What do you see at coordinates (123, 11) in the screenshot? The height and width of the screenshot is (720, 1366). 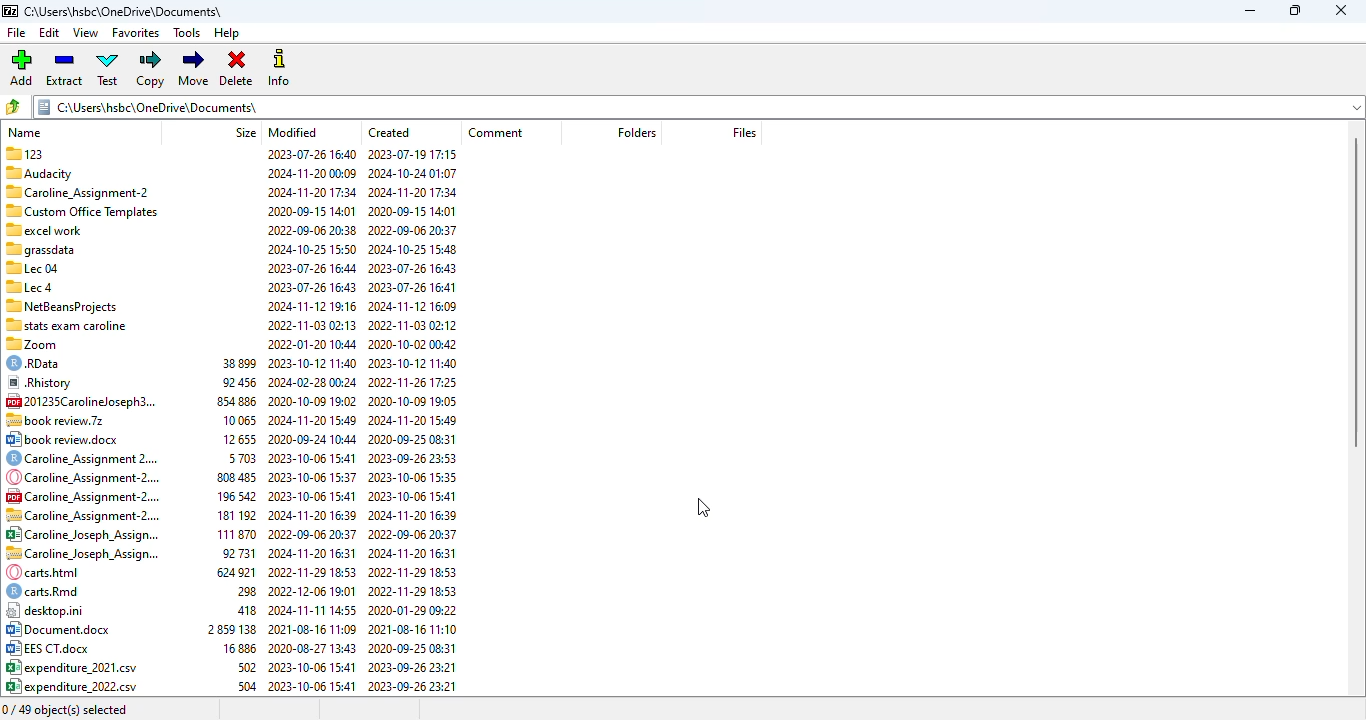 I see `folder name` at bounding box center [123, 11].